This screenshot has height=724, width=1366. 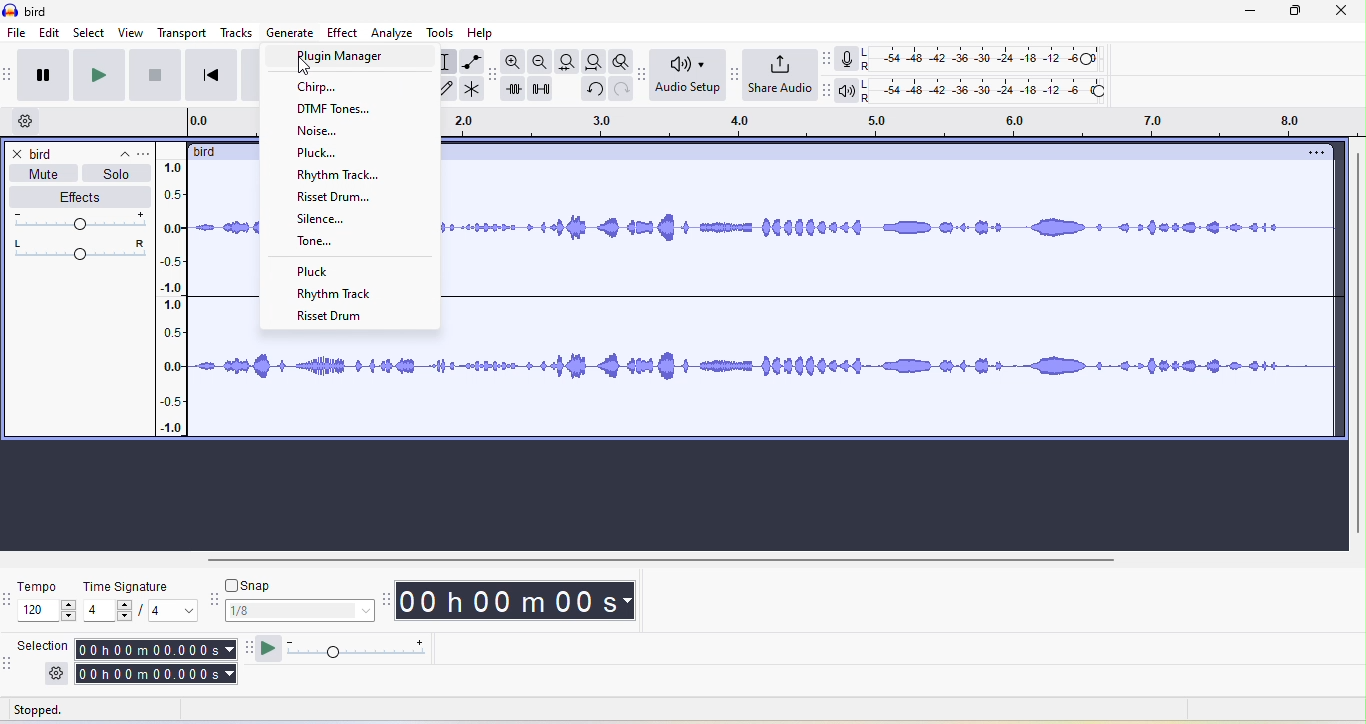 I want to click on analyze, so click(x=397, y=34).